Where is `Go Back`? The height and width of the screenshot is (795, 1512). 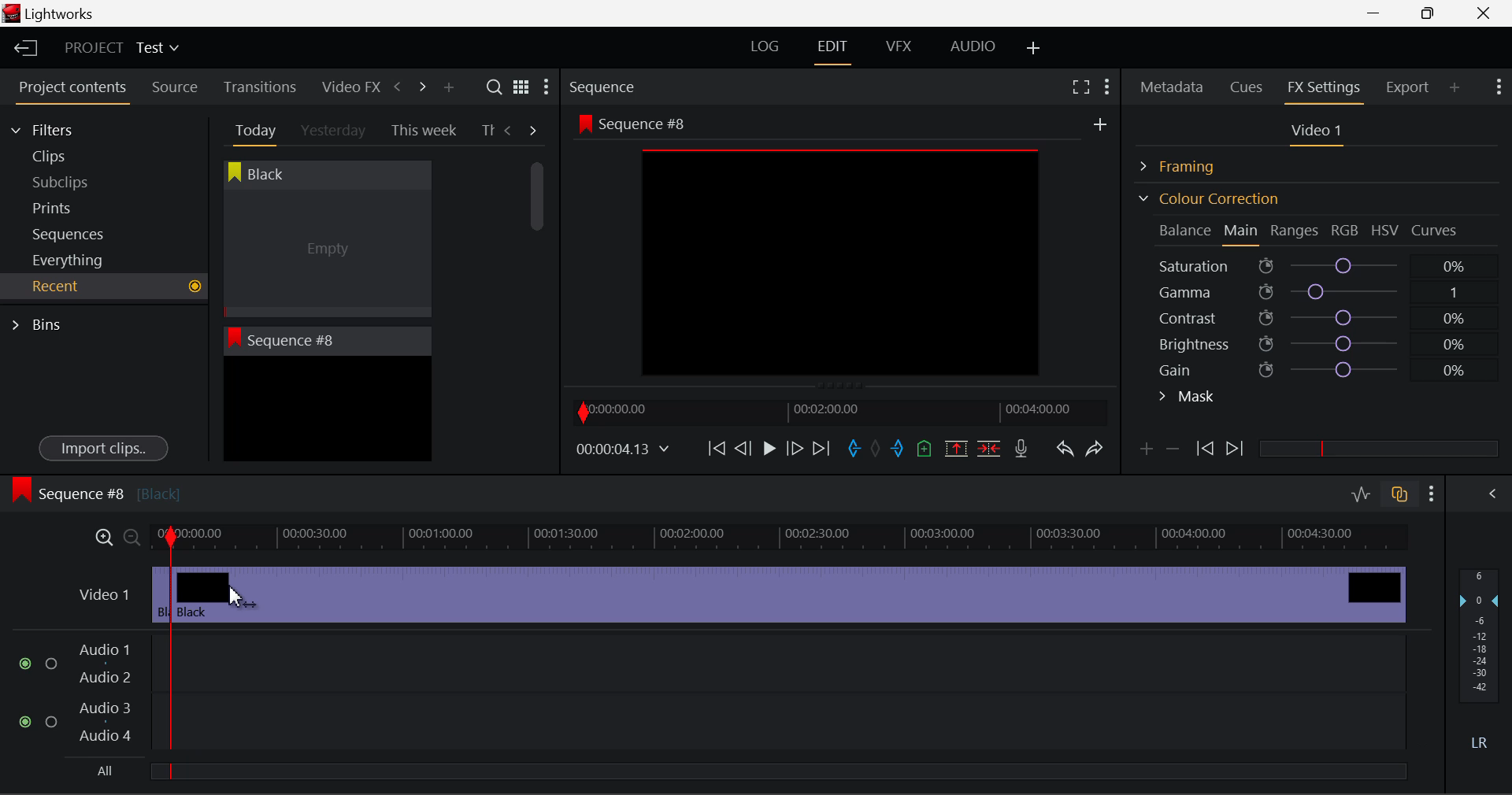
Go Back is located at coordinates (745, 447).